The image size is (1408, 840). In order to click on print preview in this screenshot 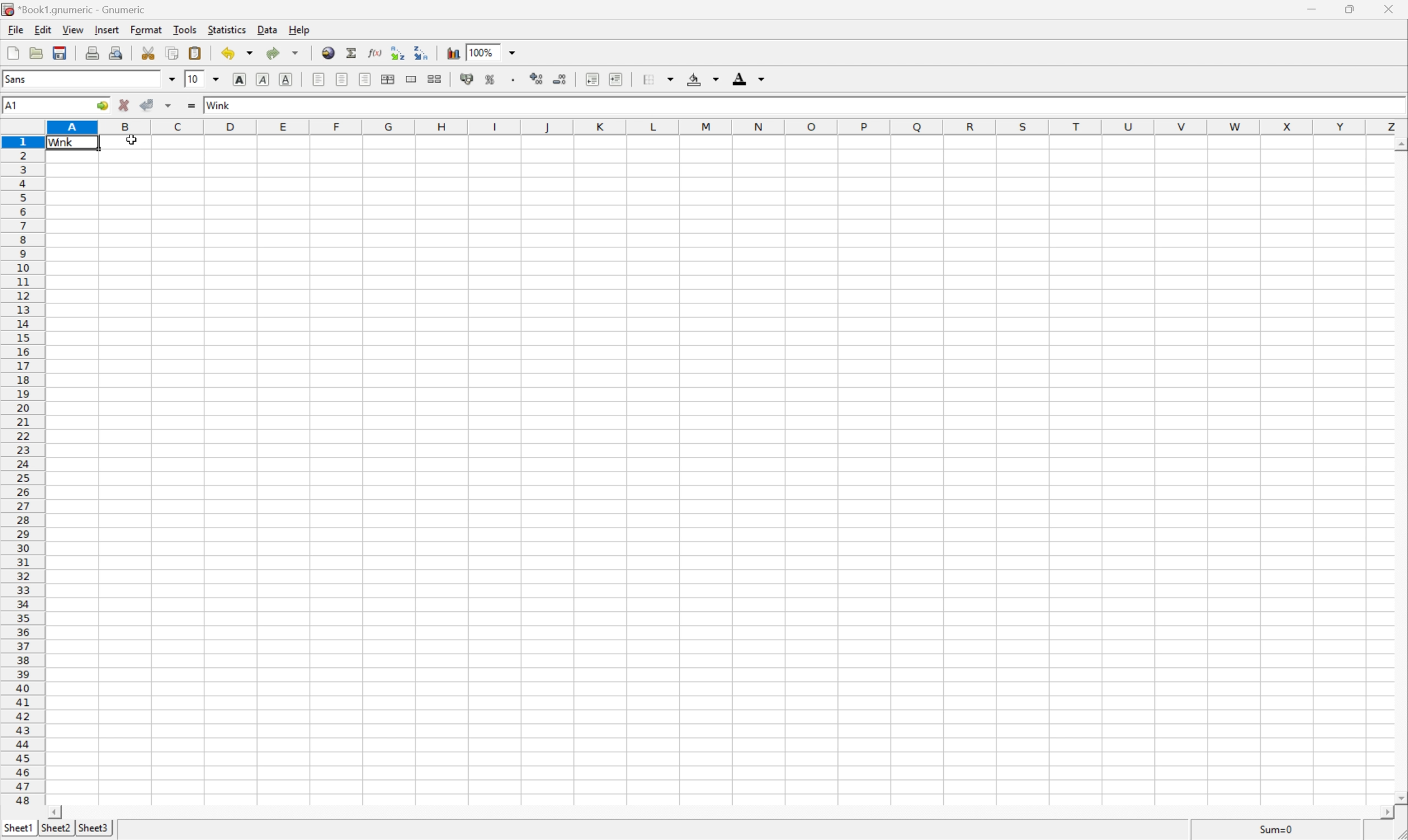, I will do `click(117, 52)`.